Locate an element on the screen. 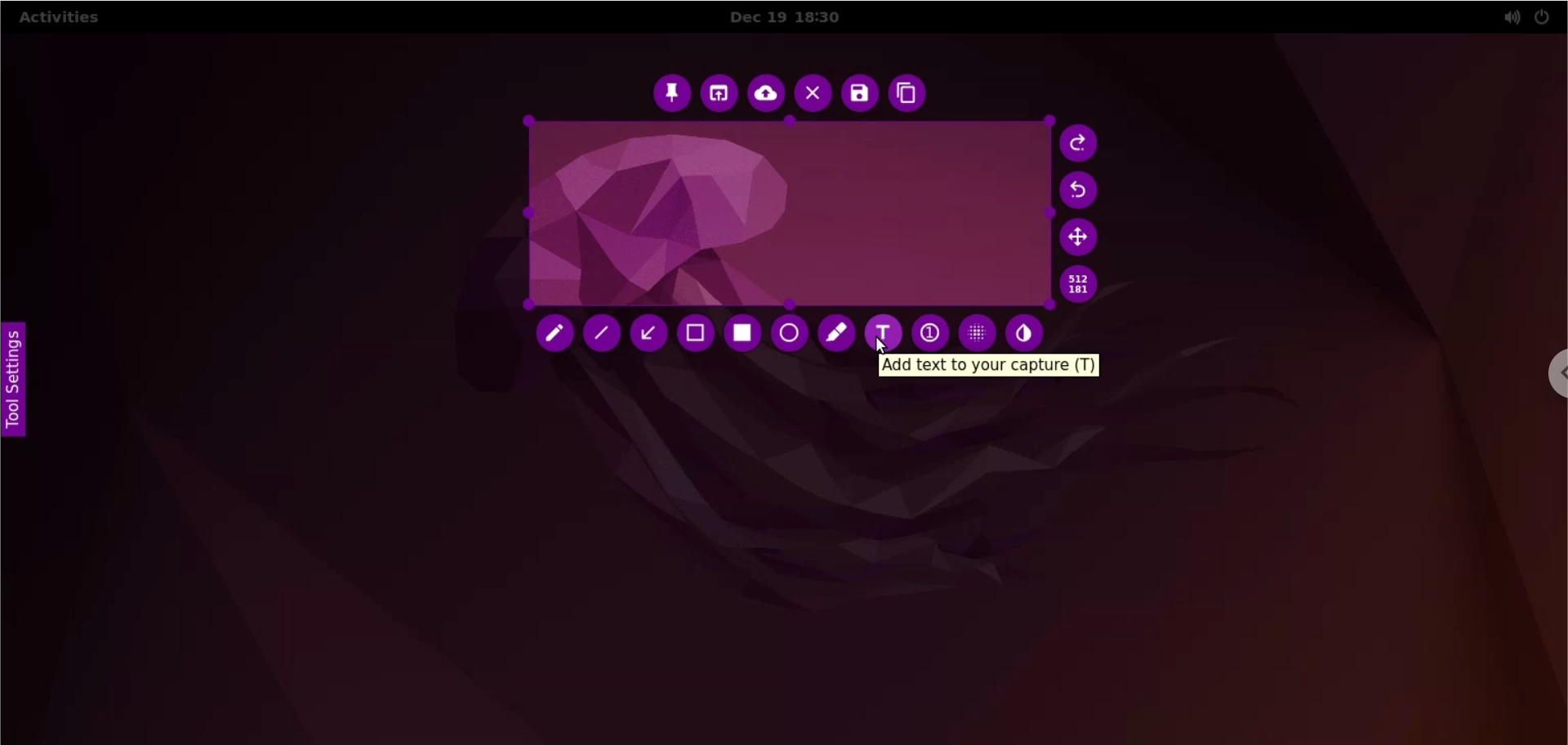 The height and width of the screenshot is (745, 1568). choose app to open screenshot is located at coordinates (719, 95).